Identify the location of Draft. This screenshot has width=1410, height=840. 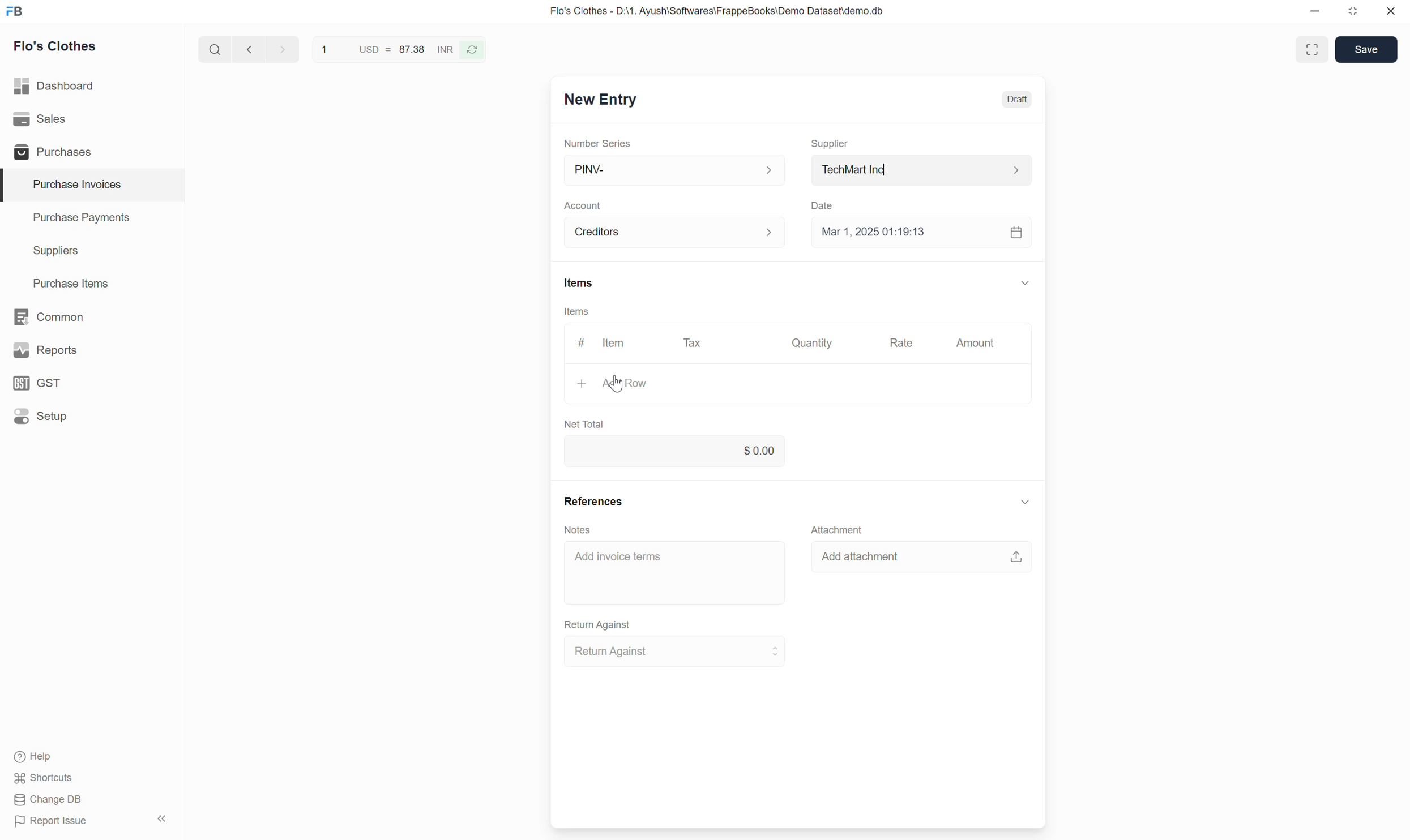
(1018, 100).